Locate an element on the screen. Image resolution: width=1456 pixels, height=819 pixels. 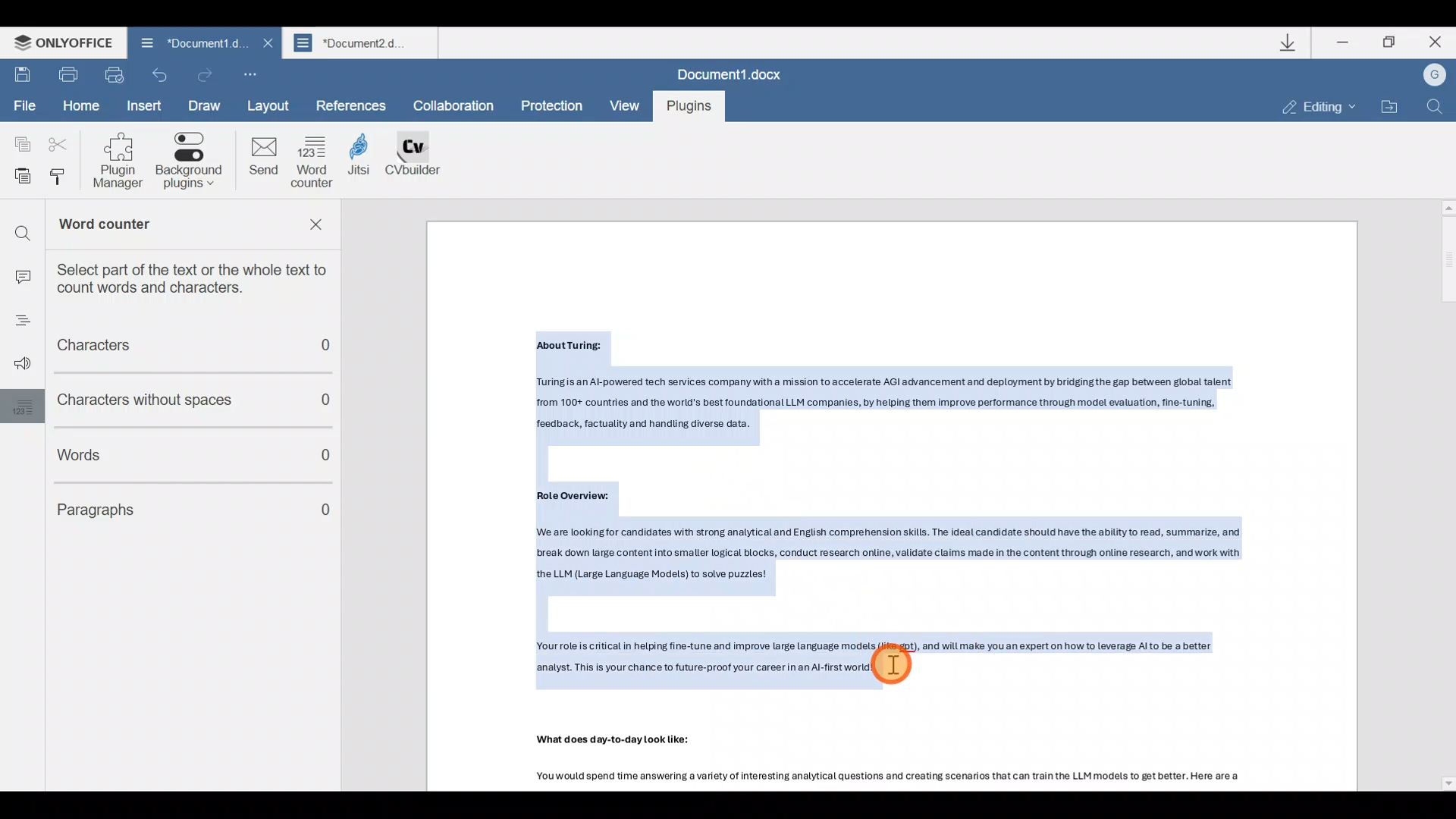
View is located at coordinates (623, 106).